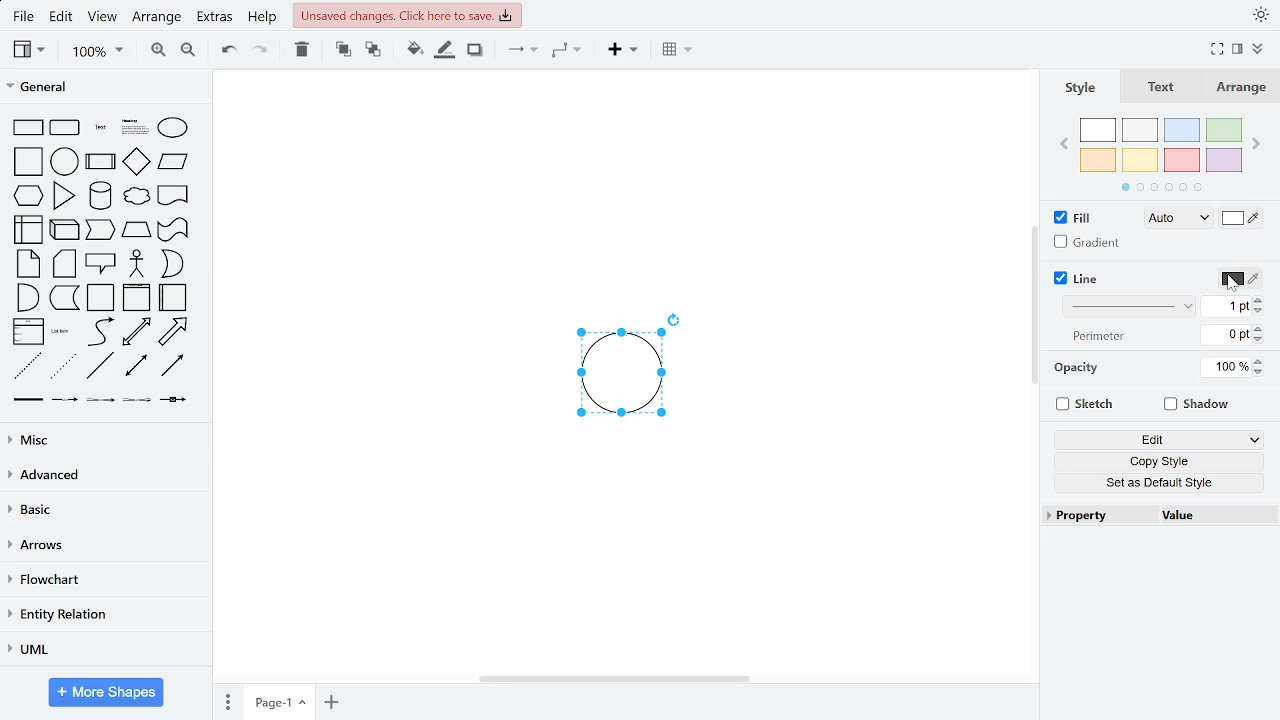  Describe the element at coordinates (332, 700) in the screenshot. I see `insert page` at that location.